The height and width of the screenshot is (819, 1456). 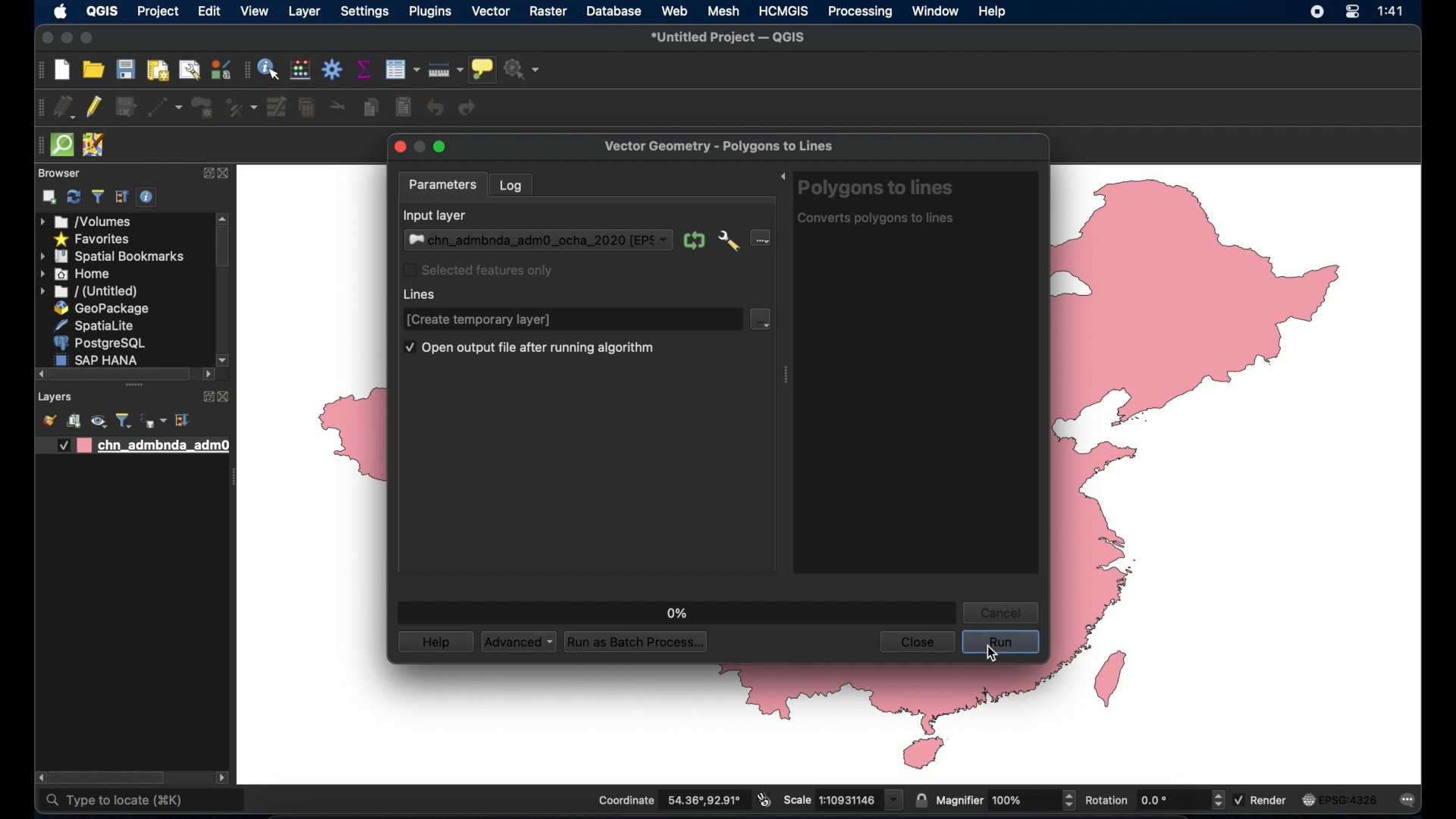 What do you see at coordinates (136, 387) in the screenshot?
I see `drag handles` at bounding box center [136, 387].